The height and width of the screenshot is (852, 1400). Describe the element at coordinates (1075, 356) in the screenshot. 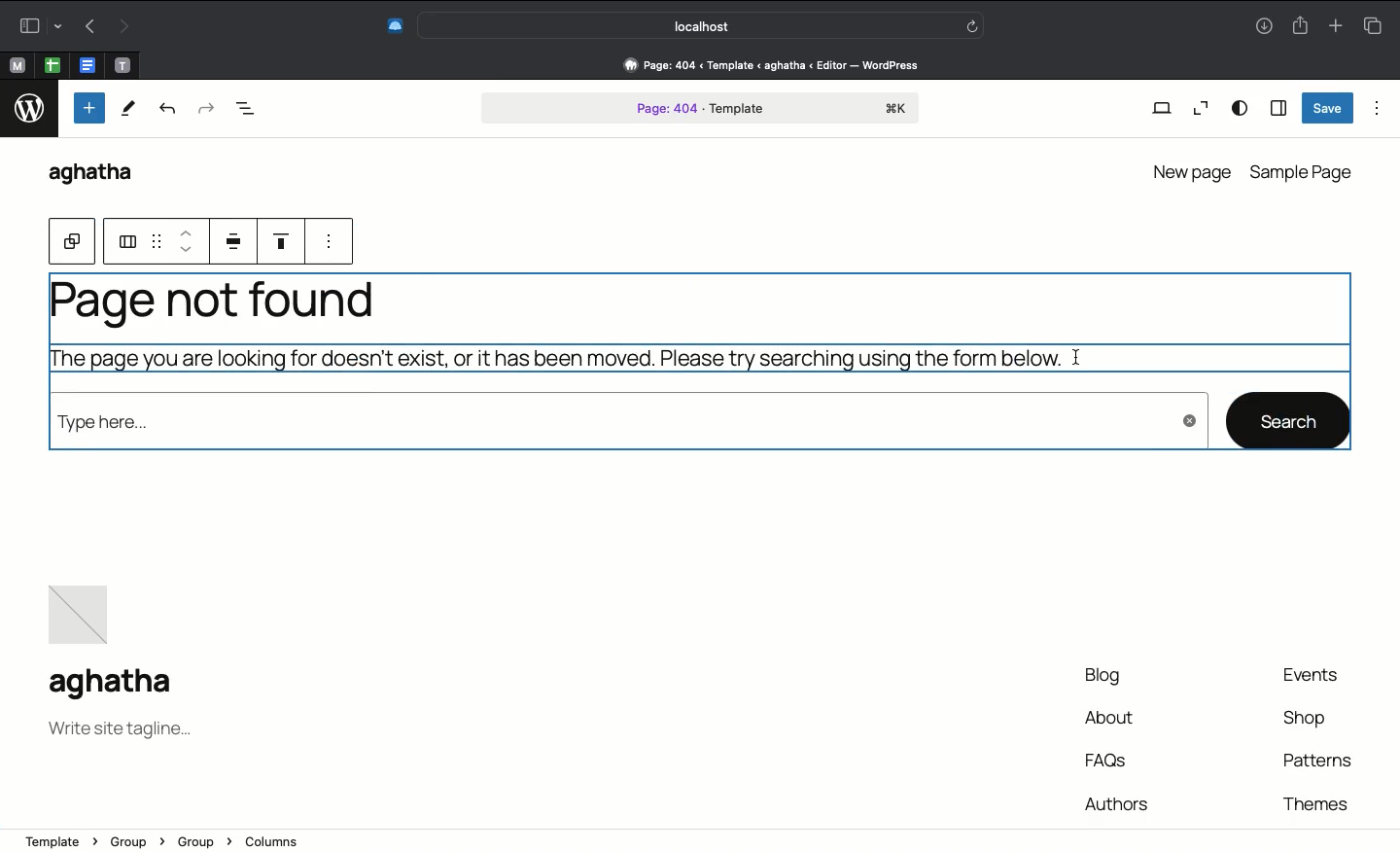

I see `Click to write` at that location.